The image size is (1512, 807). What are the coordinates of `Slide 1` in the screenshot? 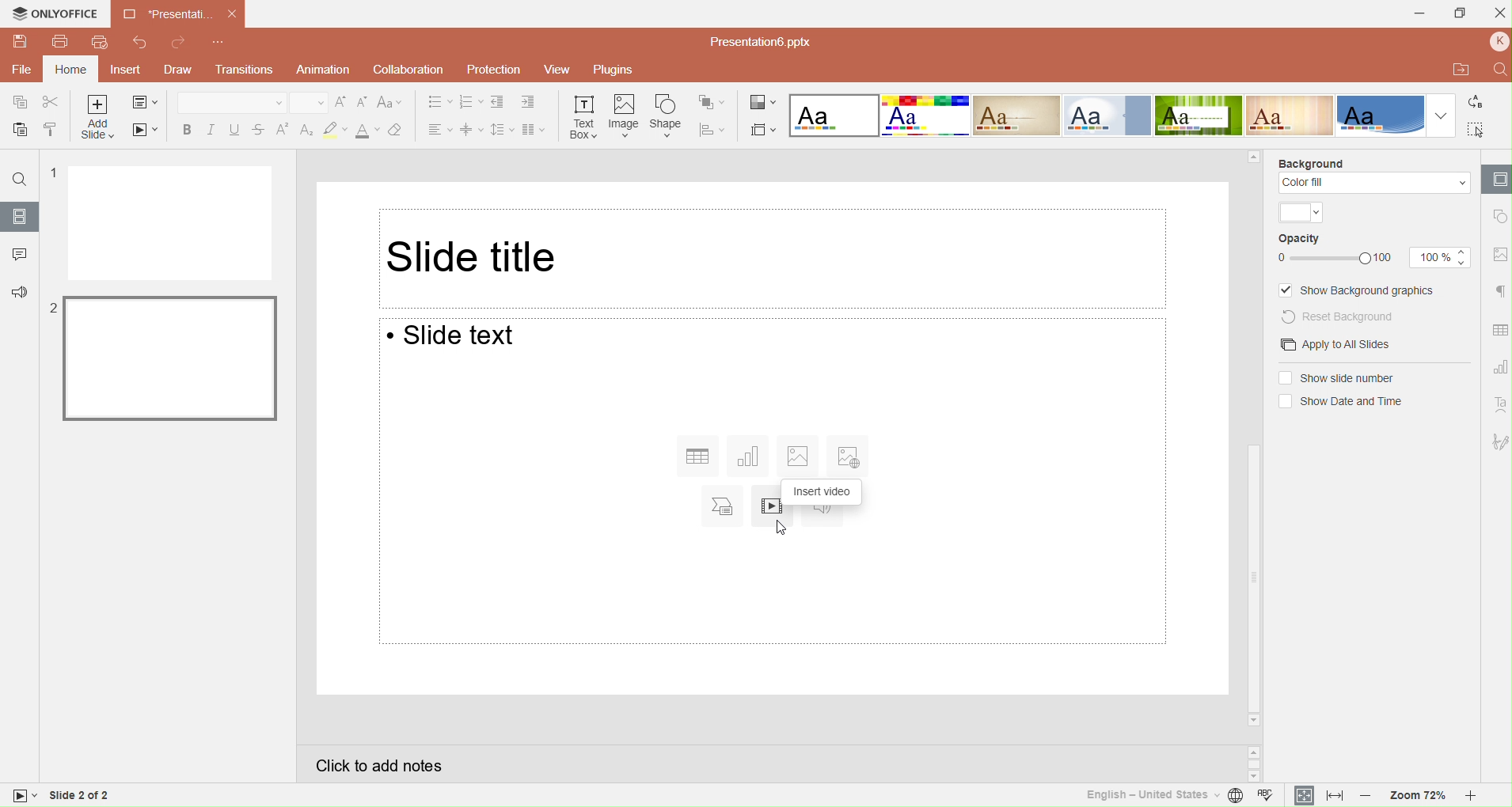 It's located at (178, 226).